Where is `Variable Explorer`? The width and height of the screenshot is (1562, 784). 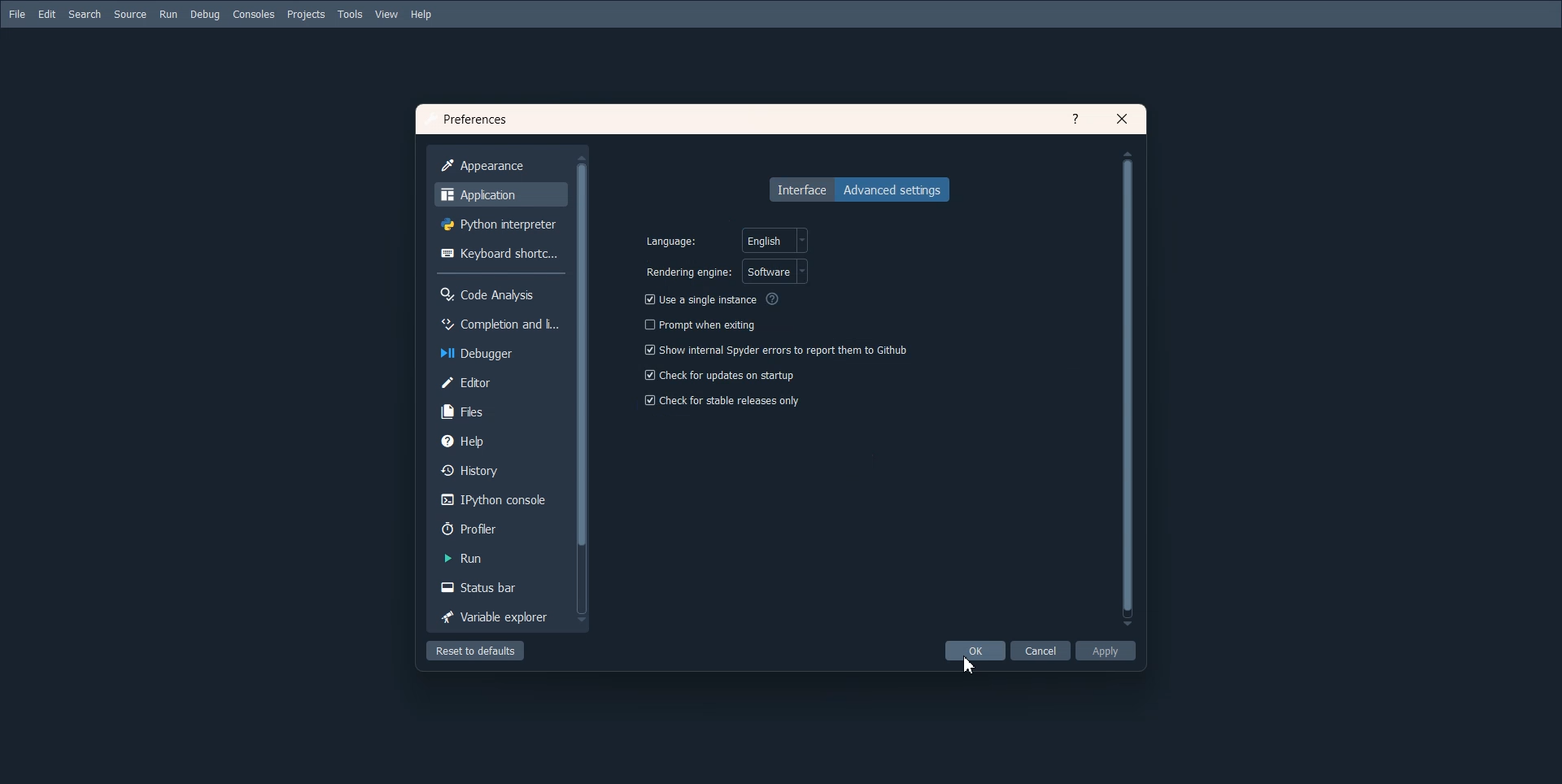
Variable Explorer is located at coordinates (496, 617).